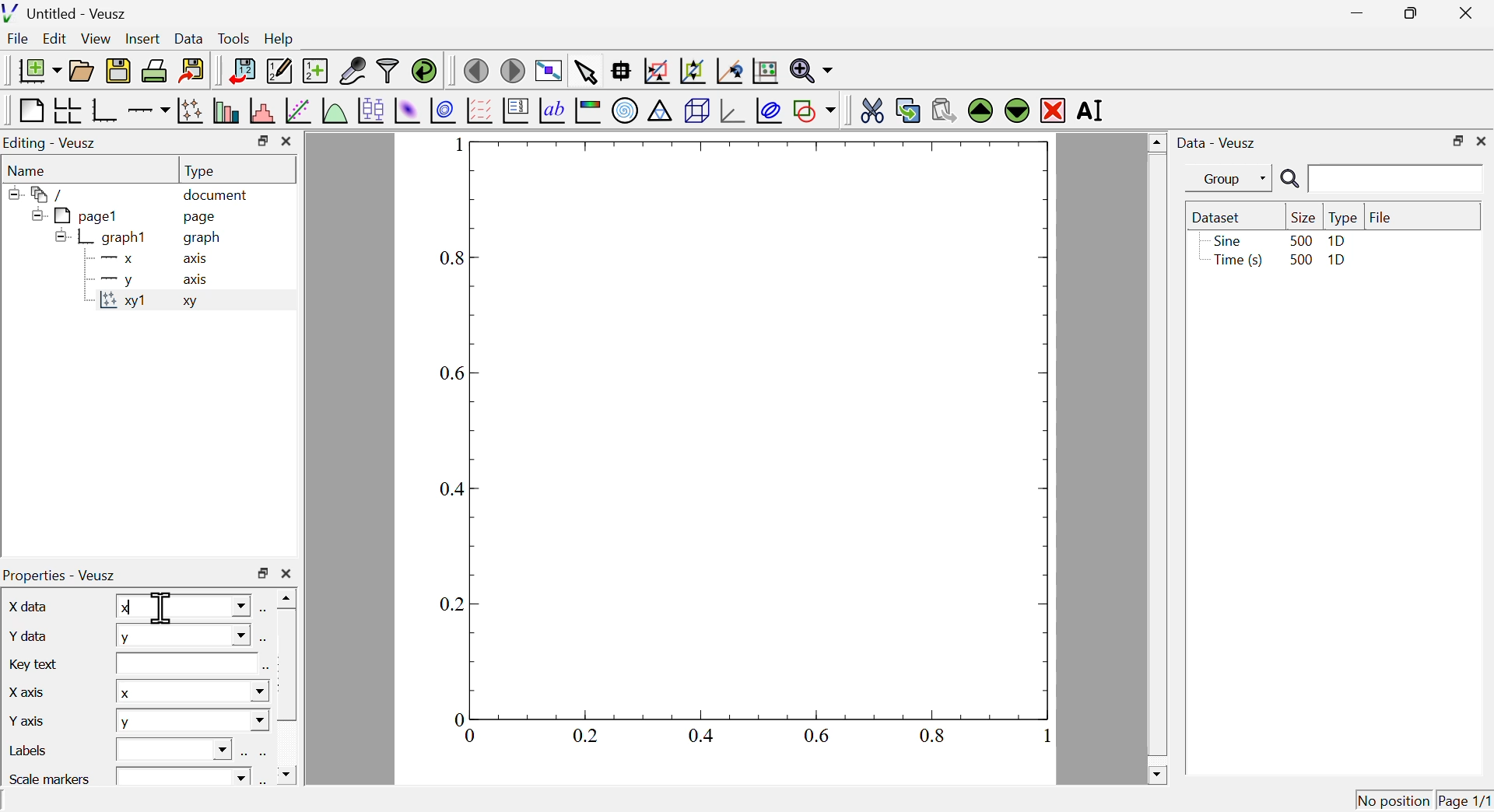  I want to click on create new data sets using ranges, so click(315, 69).